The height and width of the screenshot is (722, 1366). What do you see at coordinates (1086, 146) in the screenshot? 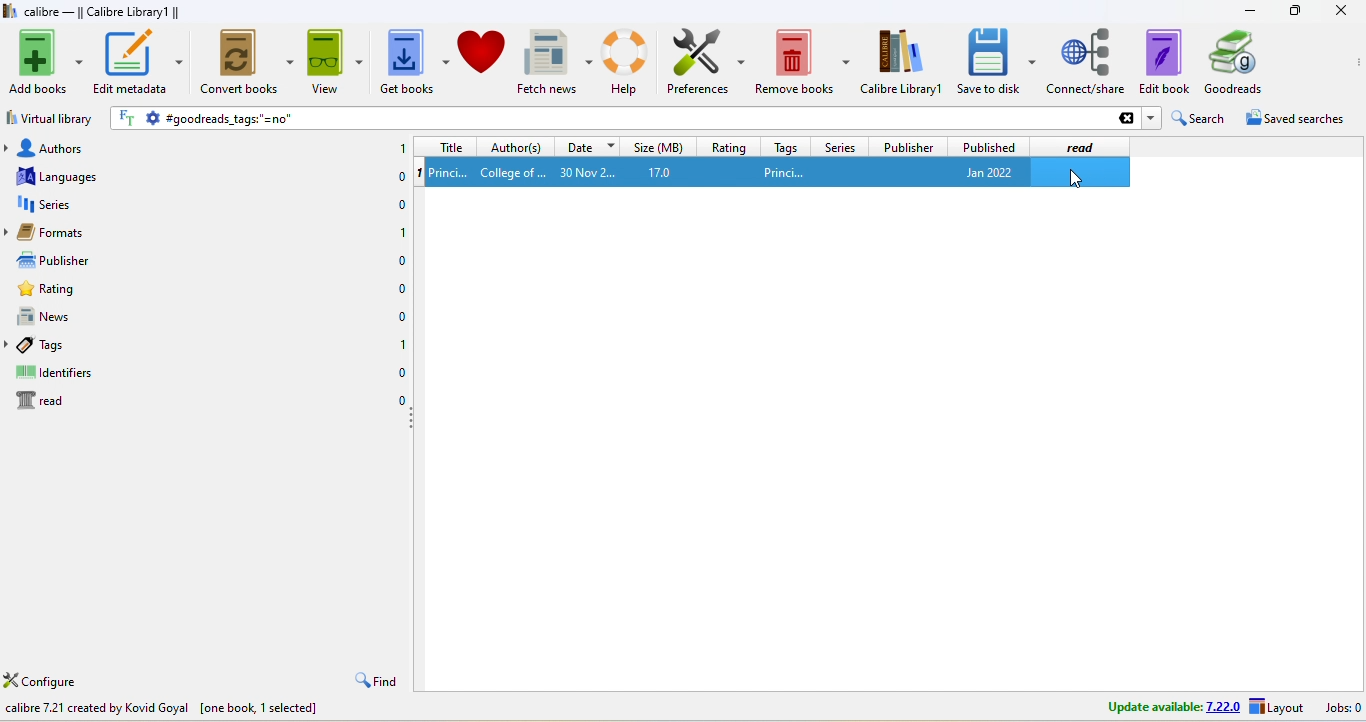
I see `read` at bounding box center [1086, 146].